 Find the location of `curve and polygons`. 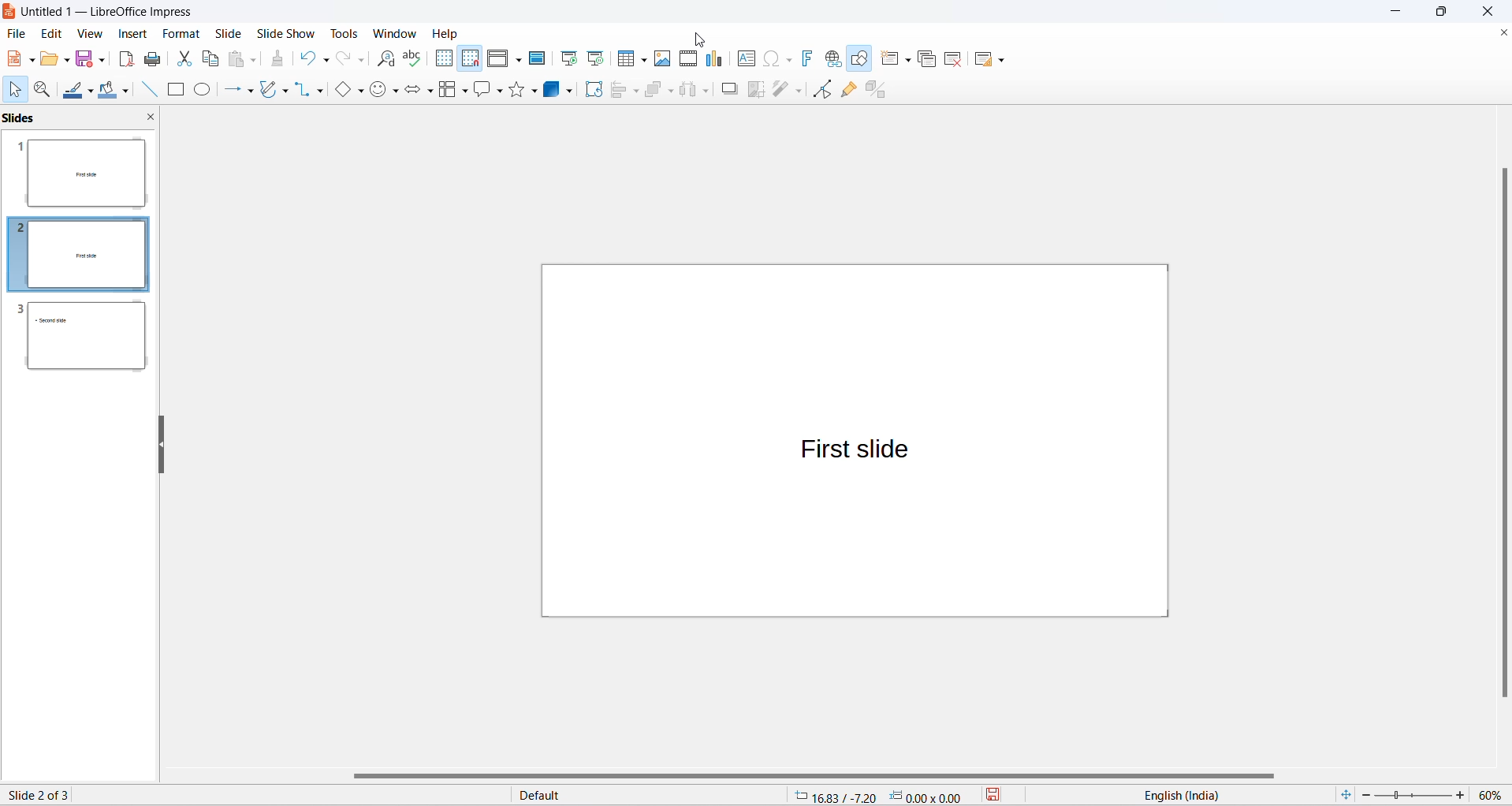

curve and polygons is located at coordinates (269, 91).